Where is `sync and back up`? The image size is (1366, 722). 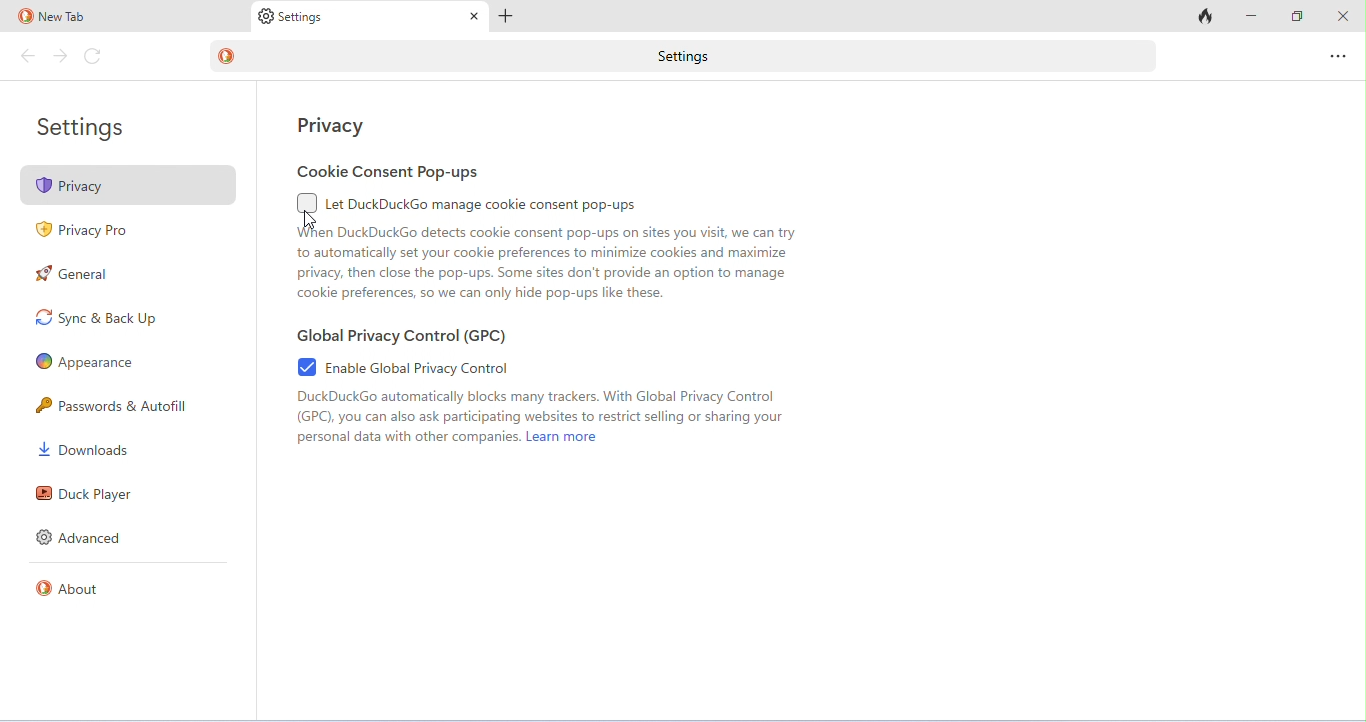 sync and back up is located at coordinates (95, 318).